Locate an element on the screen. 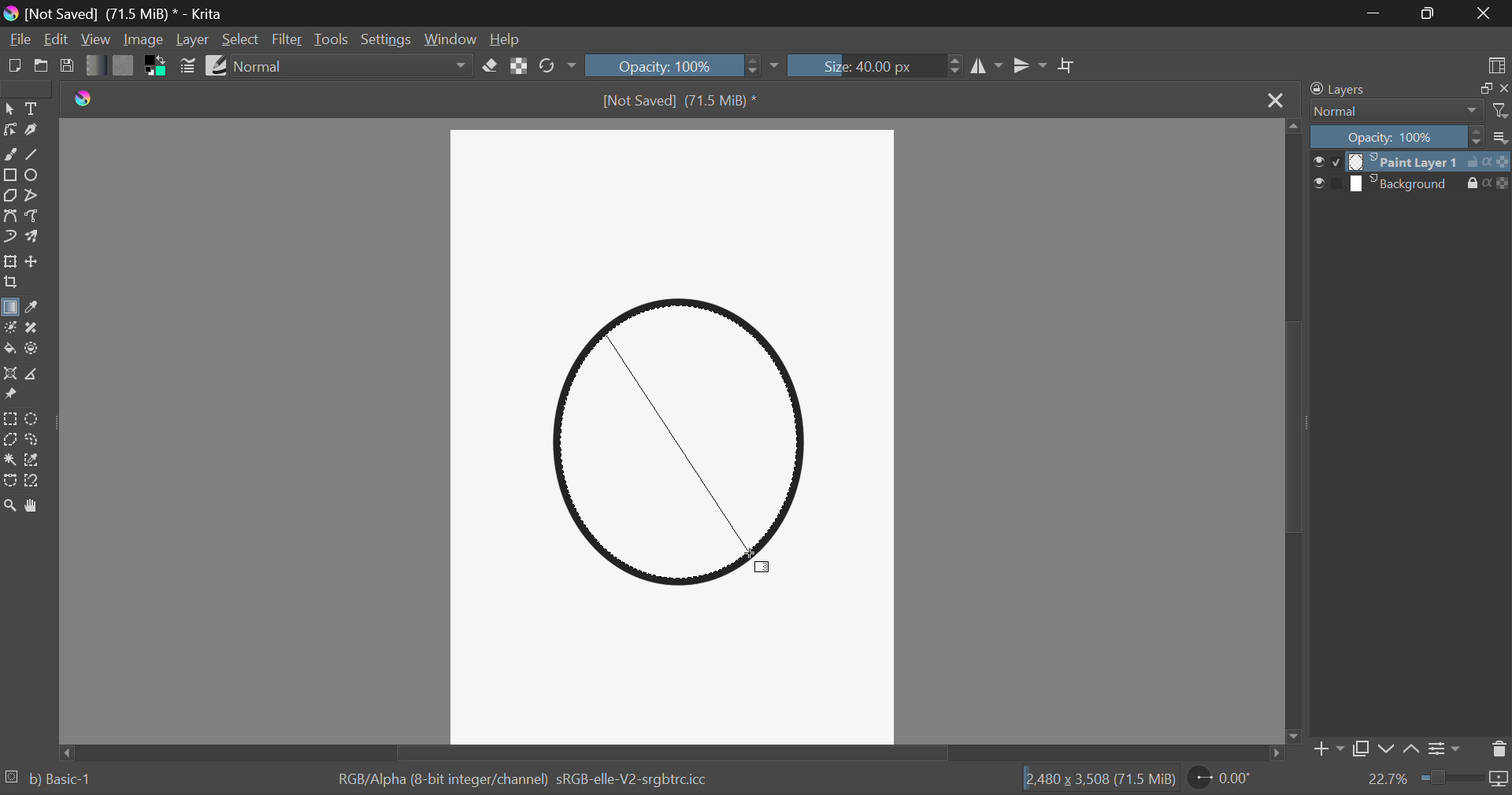 The width and height of the screenshot is (1512, 795). Copy Layer is located at coordinates (1362, 749).